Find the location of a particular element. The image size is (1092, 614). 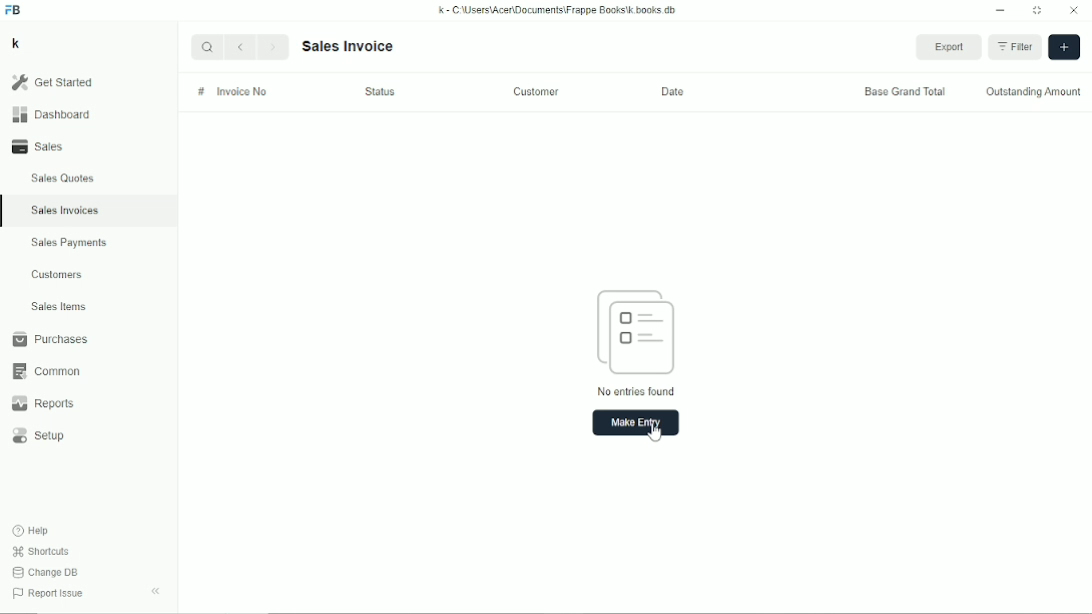

Backward is located at coordinates (244, 46).